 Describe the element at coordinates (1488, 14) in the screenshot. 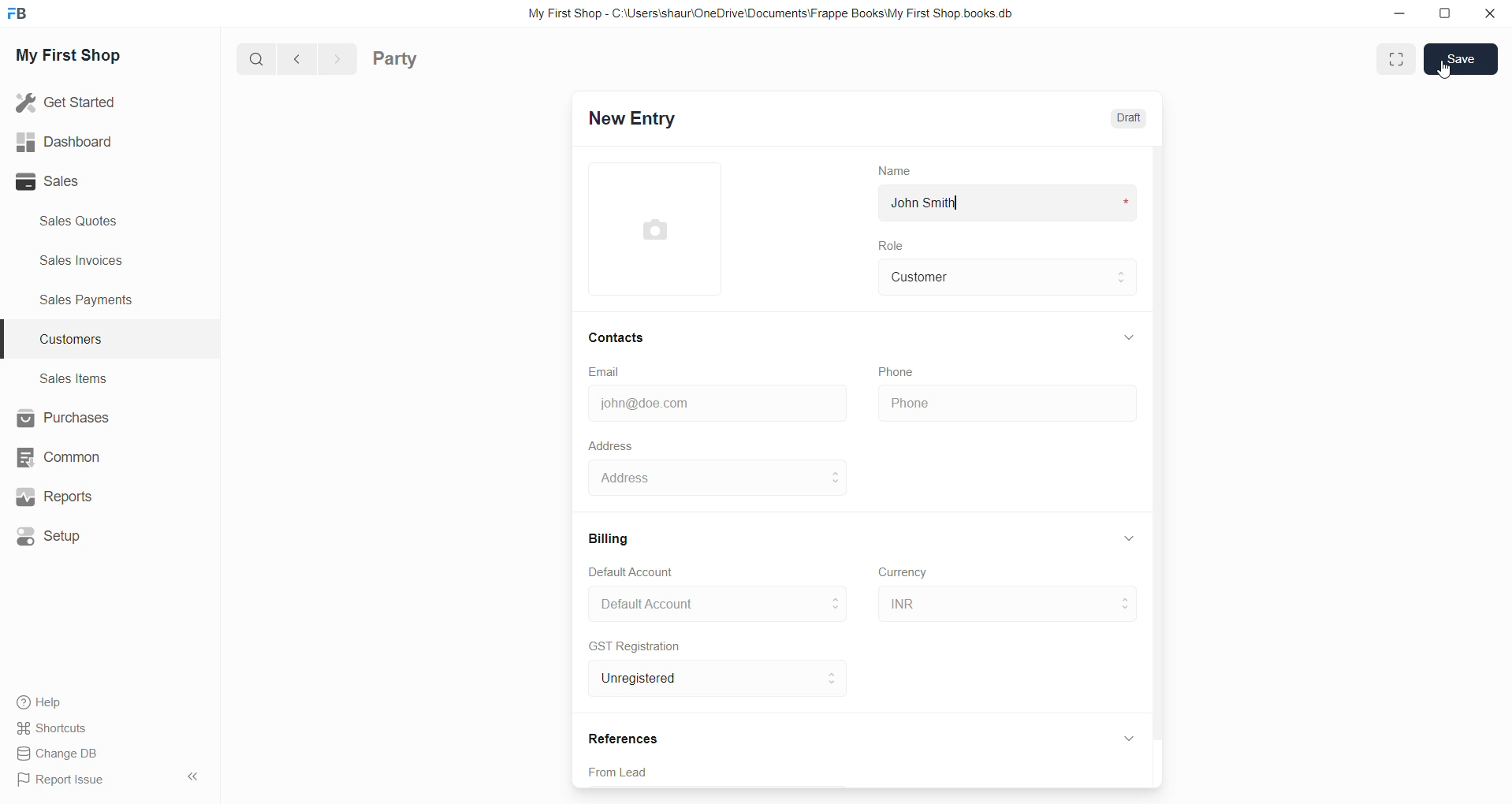

I see `close` at that location.